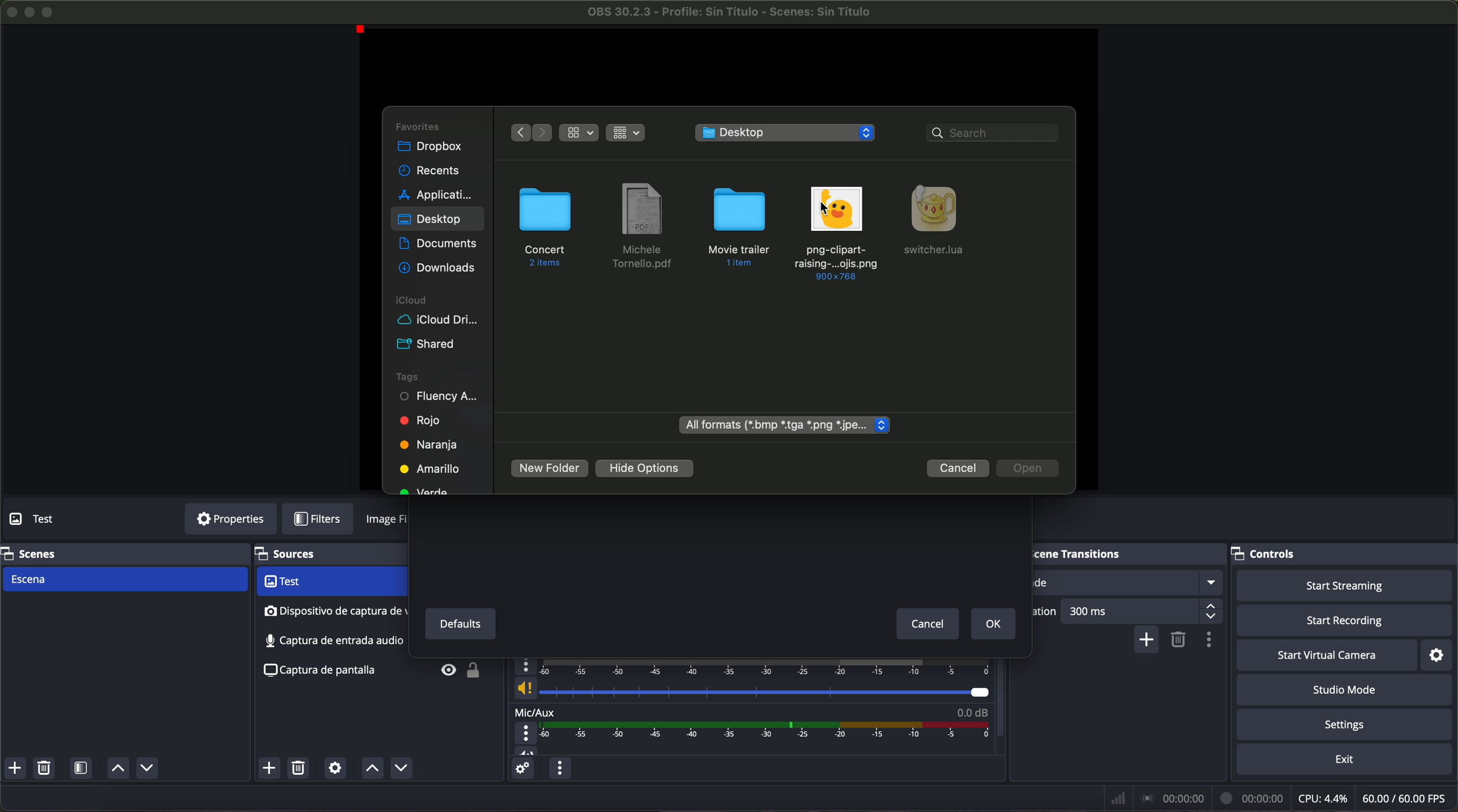 The height and width of the screenshot is (812, 1458). I want to click on 0.0 dB, so click(972, 710).